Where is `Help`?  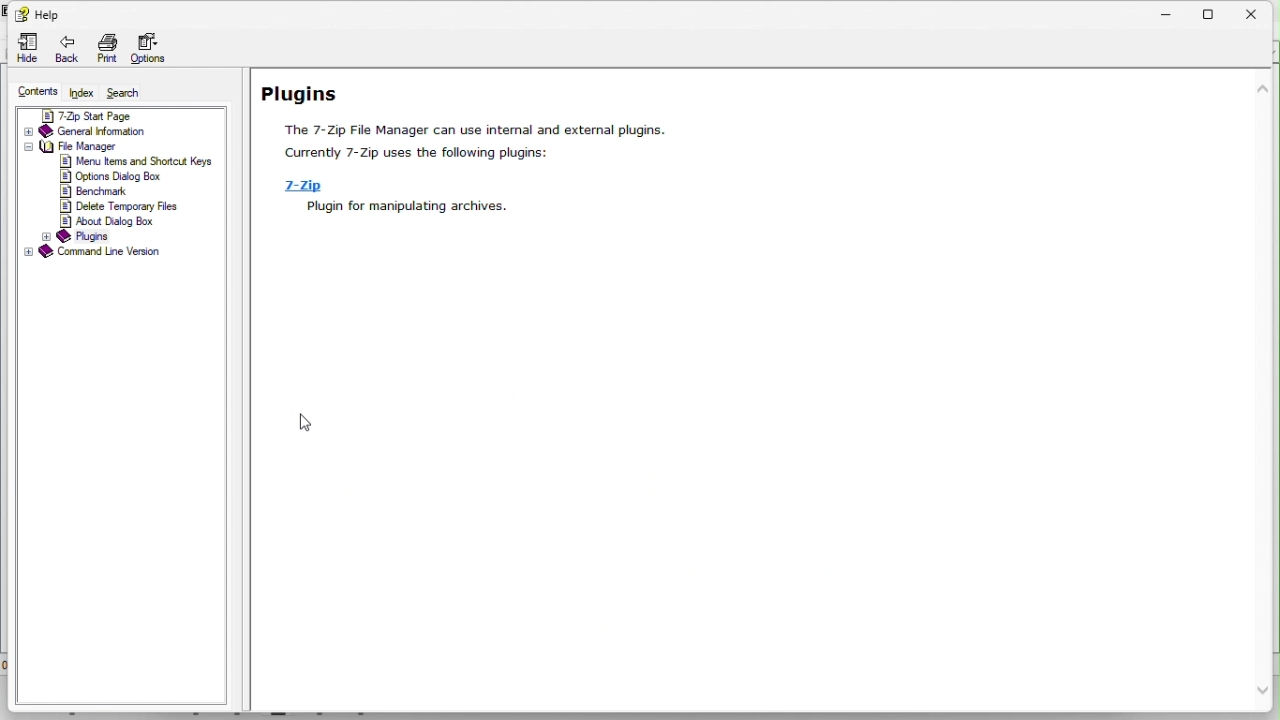 Help is located at coordinates (35, 13).